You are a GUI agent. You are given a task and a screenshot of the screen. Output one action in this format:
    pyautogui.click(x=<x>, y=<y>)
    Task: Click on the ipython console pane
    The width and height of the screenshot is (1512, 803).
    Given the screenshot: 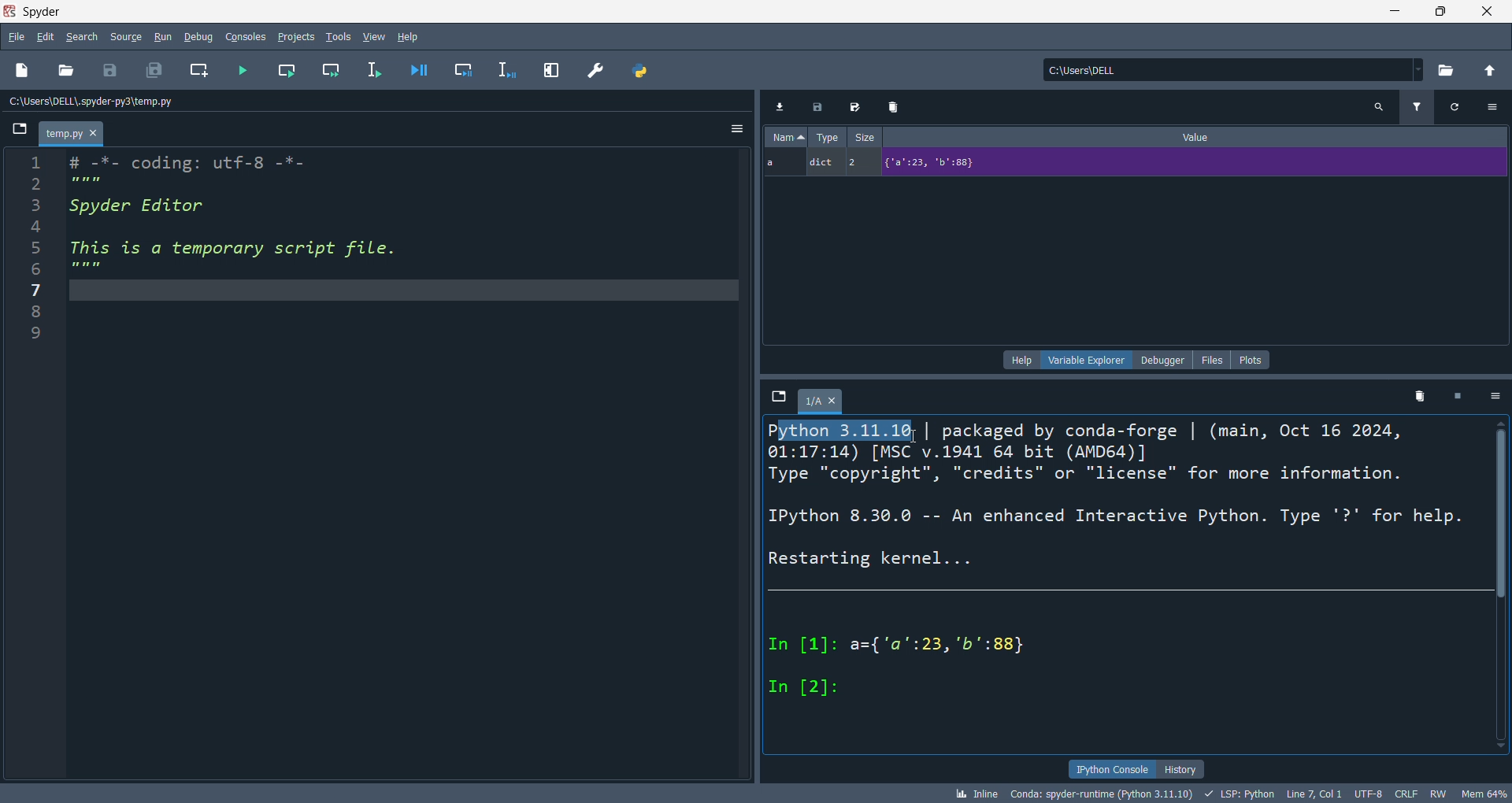 What is the action you would take?
    pyautogui.click(x=1127, y=599)
    